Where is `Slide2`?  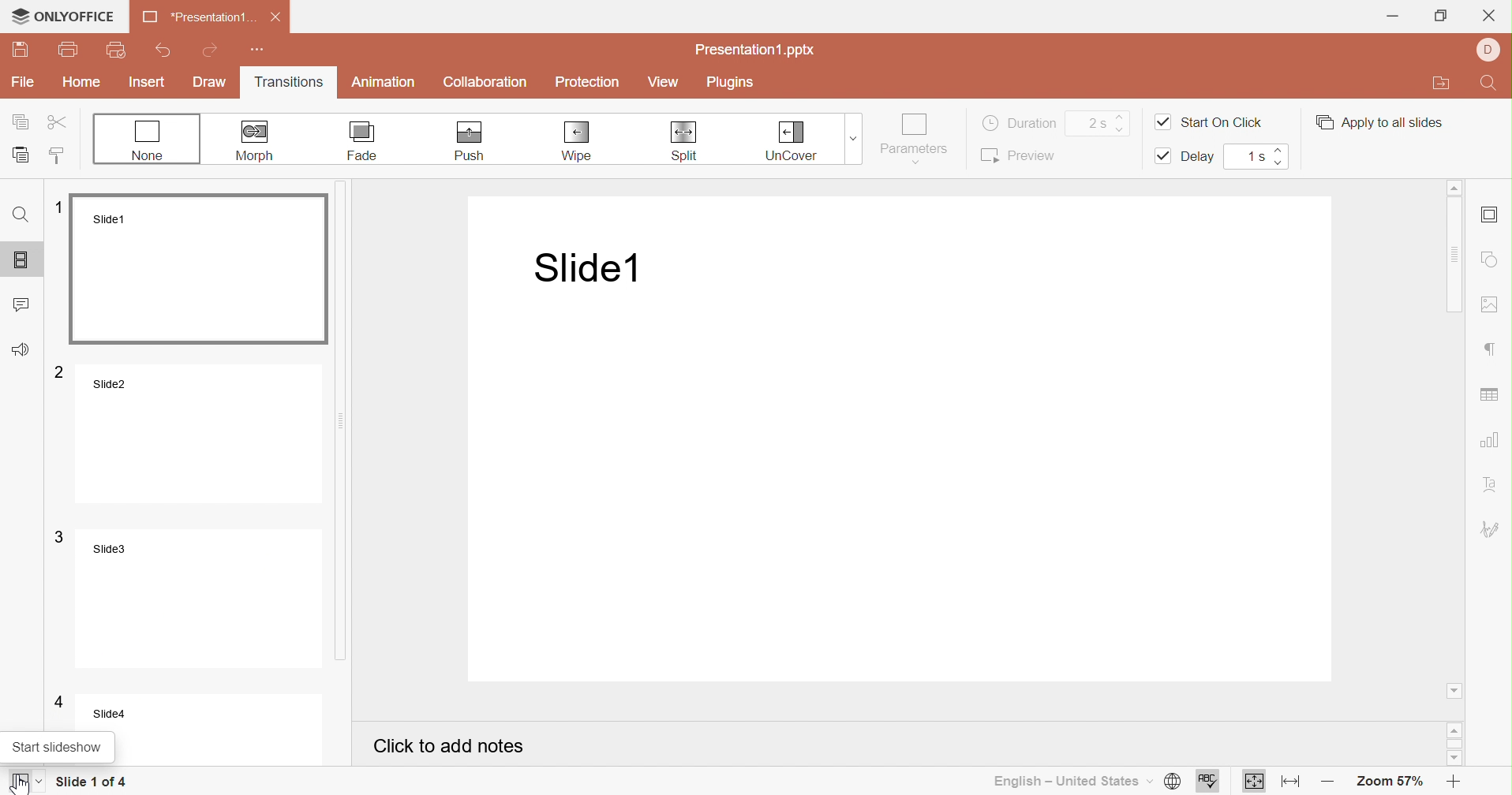
Slide2 is located at coordinates (188, 433).